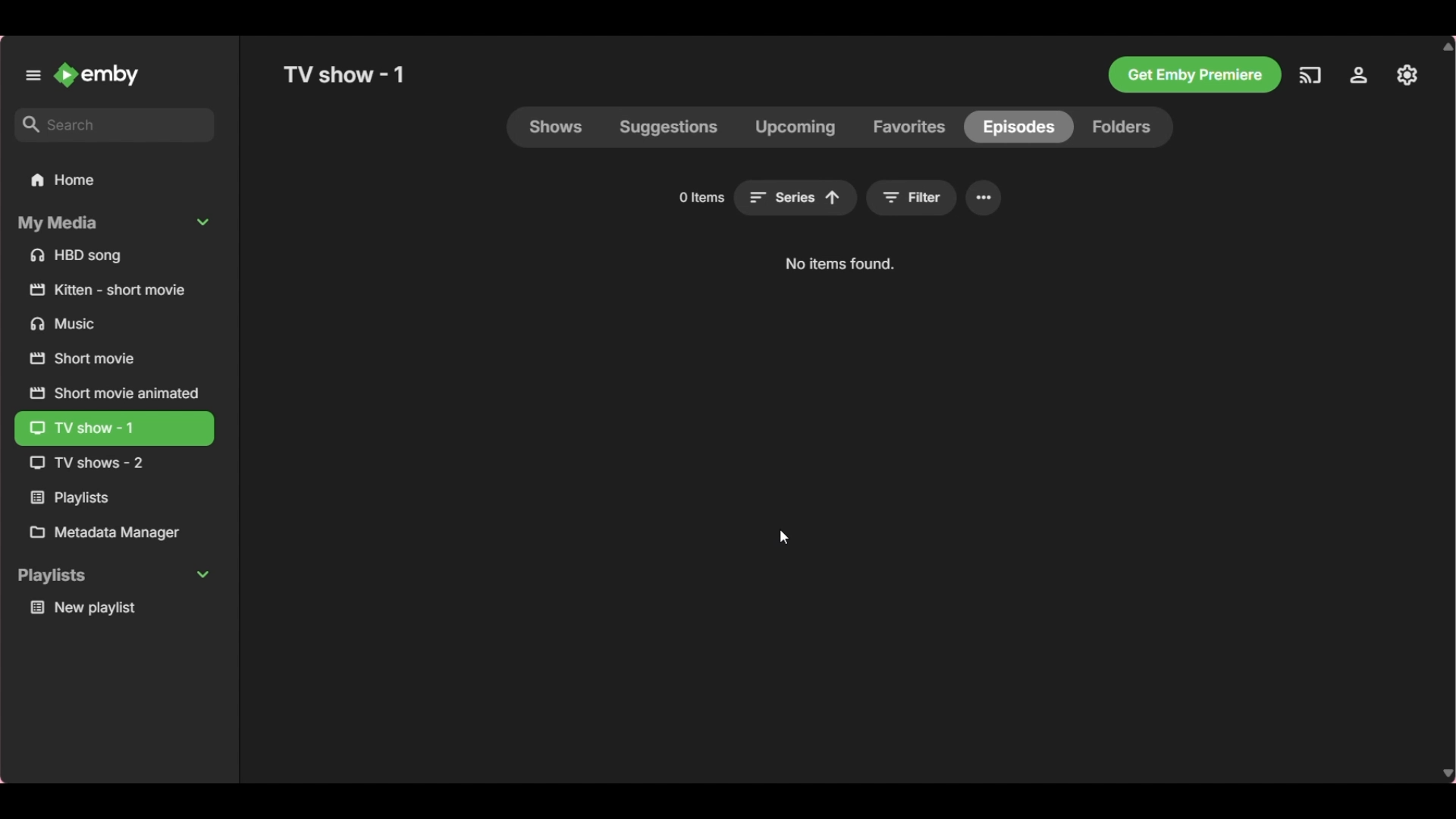 This screenshot has height=819, width=1456. Describe the element at coordinates (114, 180) in the screenshot. I see `Home folder, current selection highlighted` at that location.